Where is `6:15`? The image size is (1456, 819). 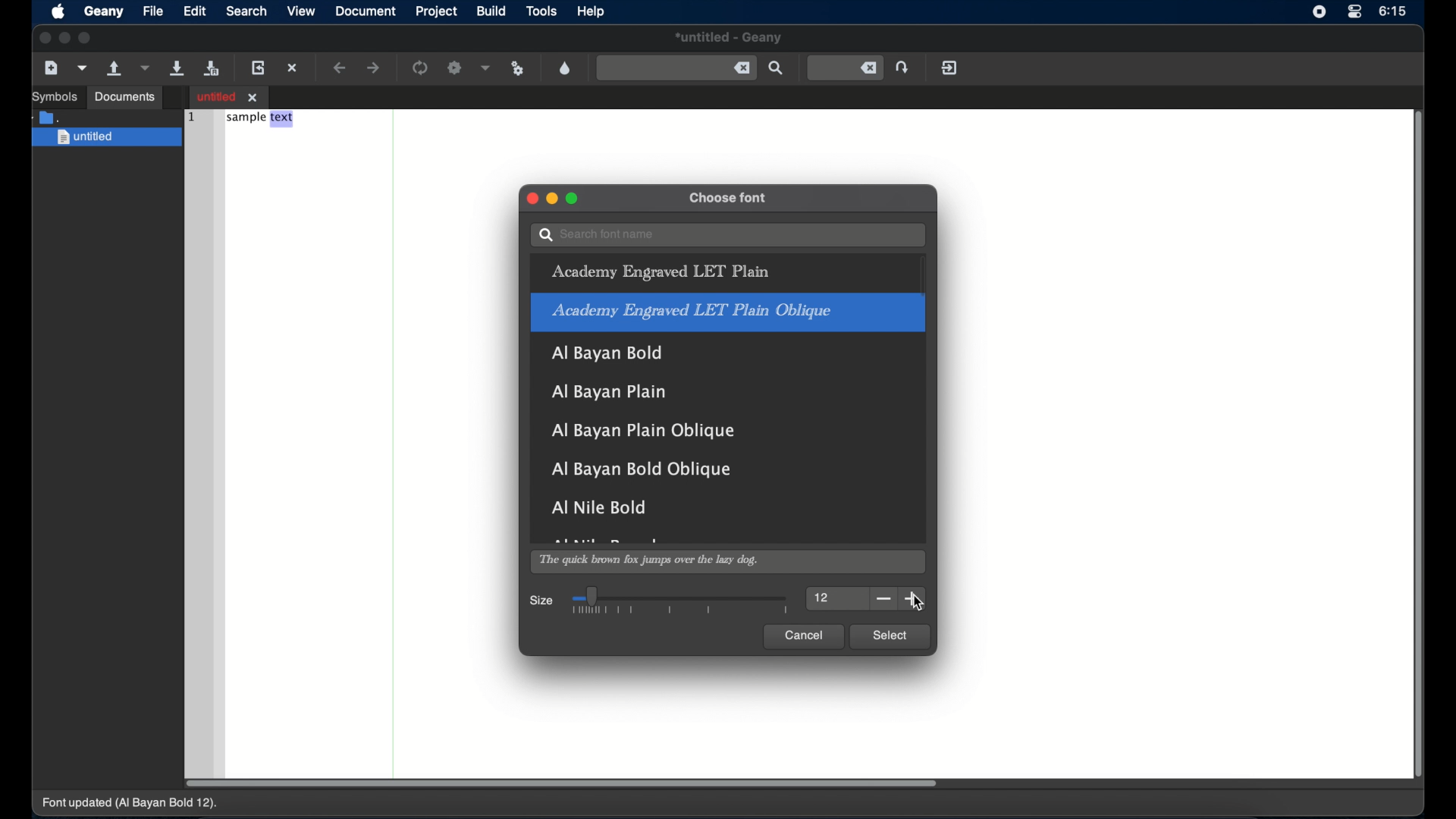
6:15 is located at coordinates (1393, 11).